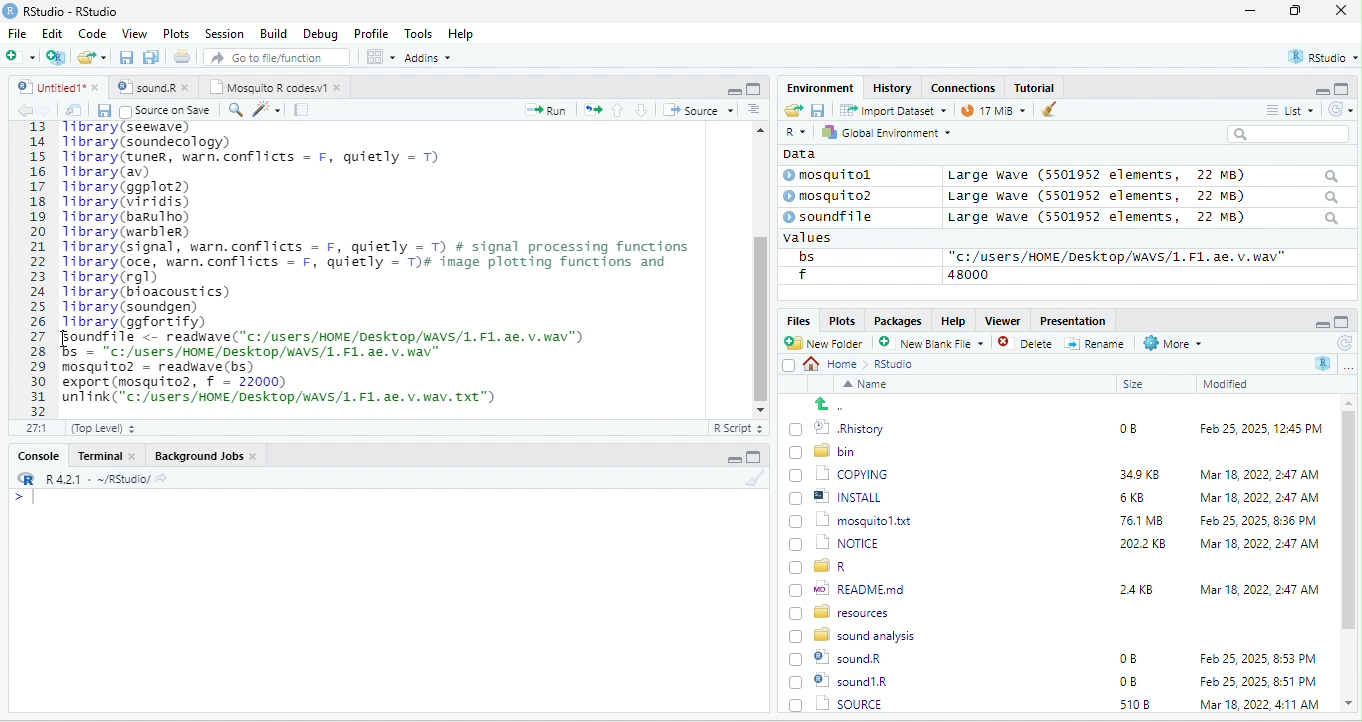 The height and width of the screenshot is (722, 1362). I want to click on hy Global Environment ~, so click(881, 132).